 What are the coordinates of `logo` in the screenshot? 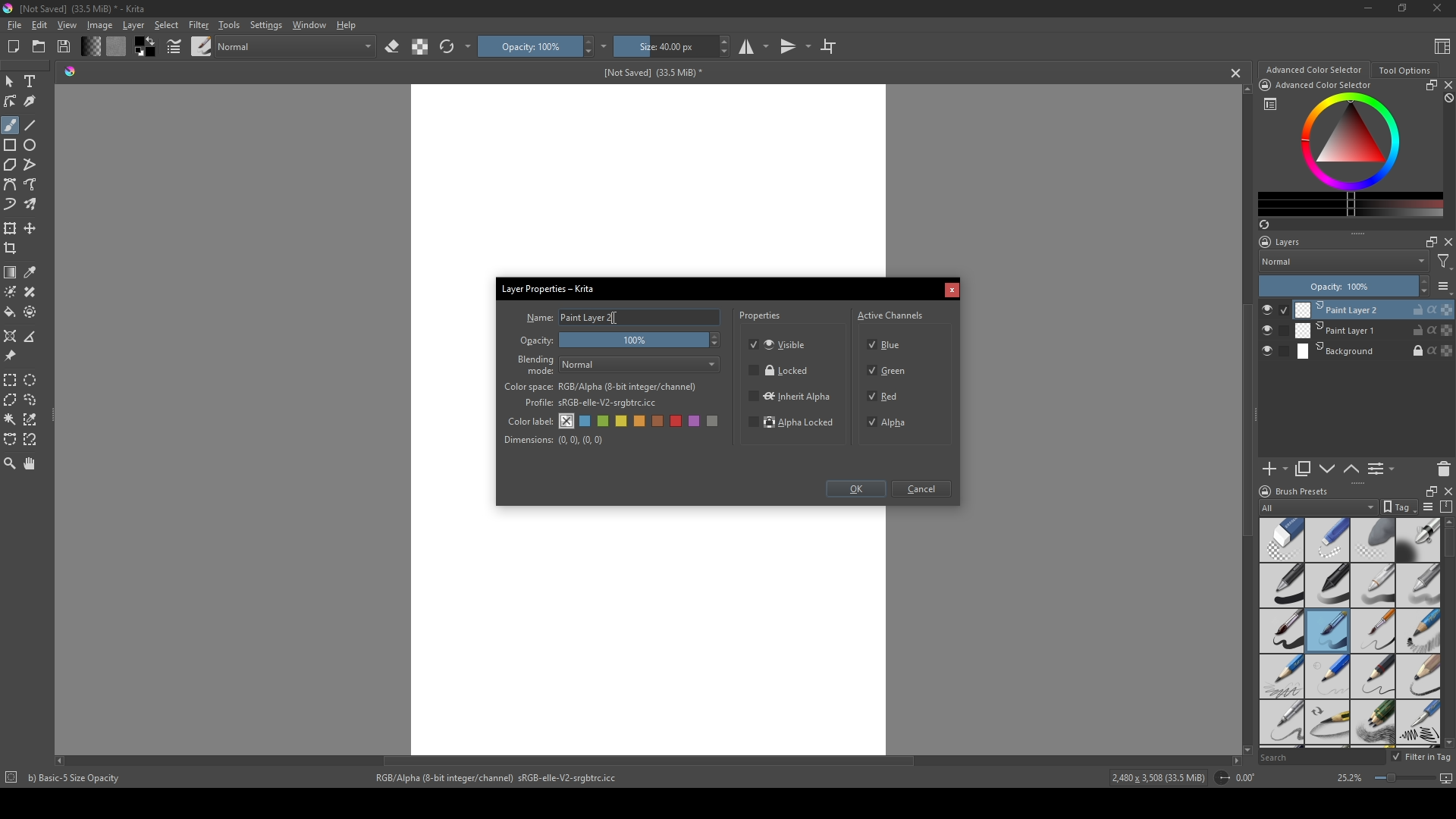 It's located at (1263, 491).